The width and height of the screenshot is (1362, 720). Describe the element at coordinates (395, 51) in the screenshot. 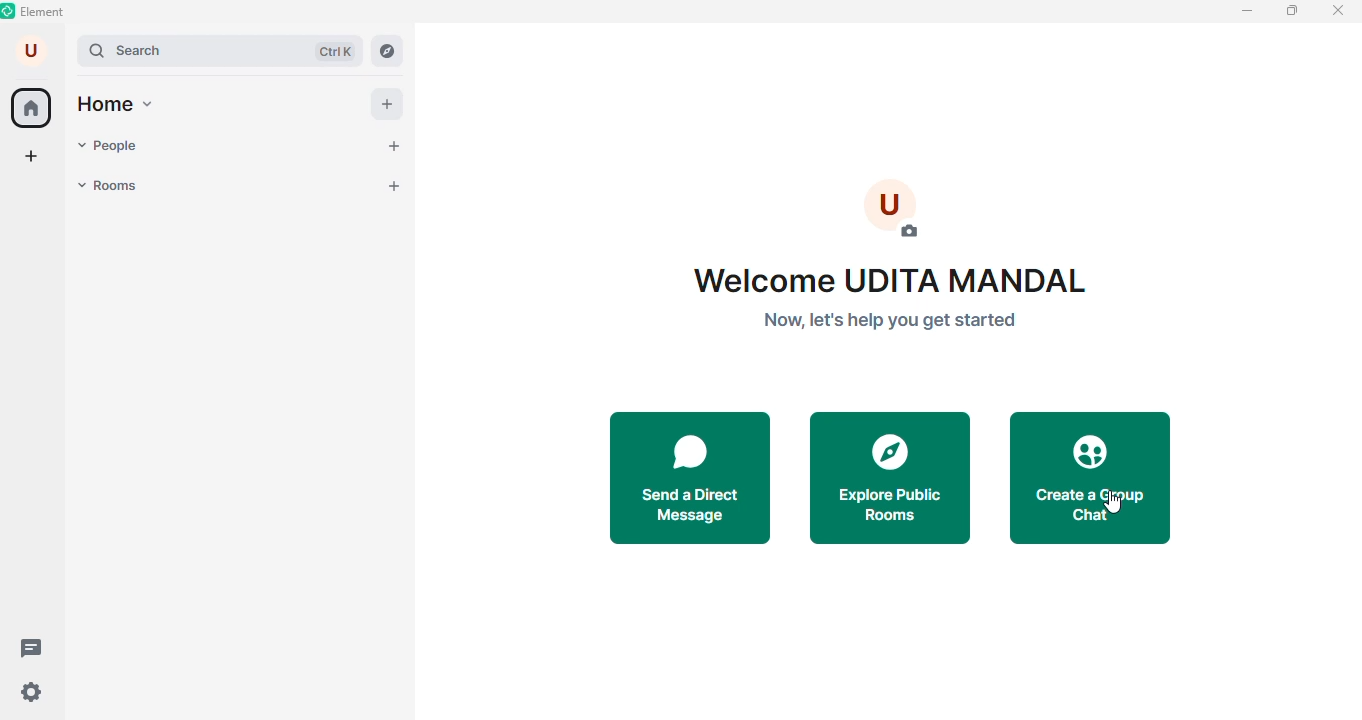

I see `explore rooms` at that location.